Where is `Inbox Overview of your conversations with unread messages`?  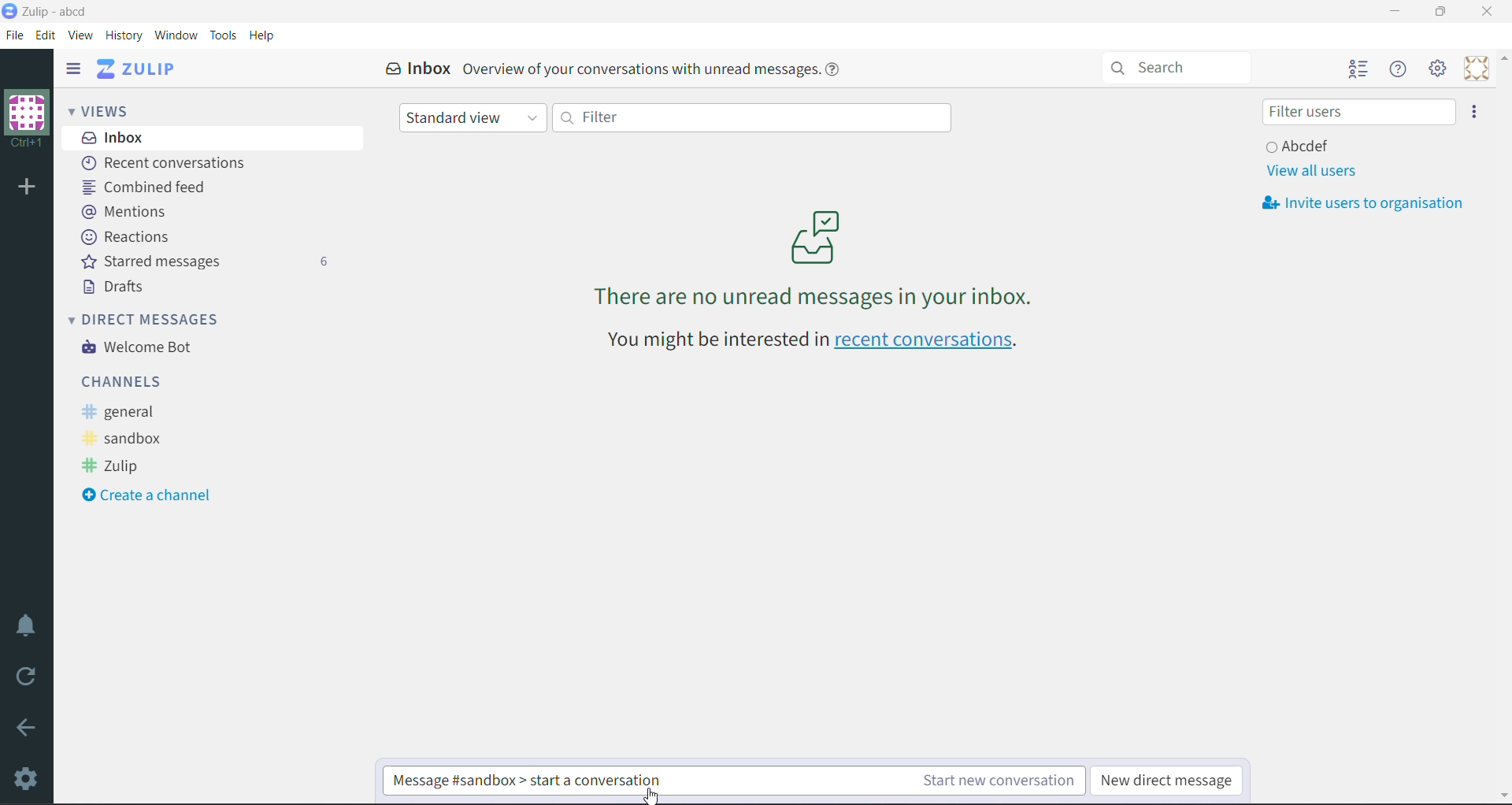 Inbox Overview of your conversations with unread messages is located at coordinates (618, 69).